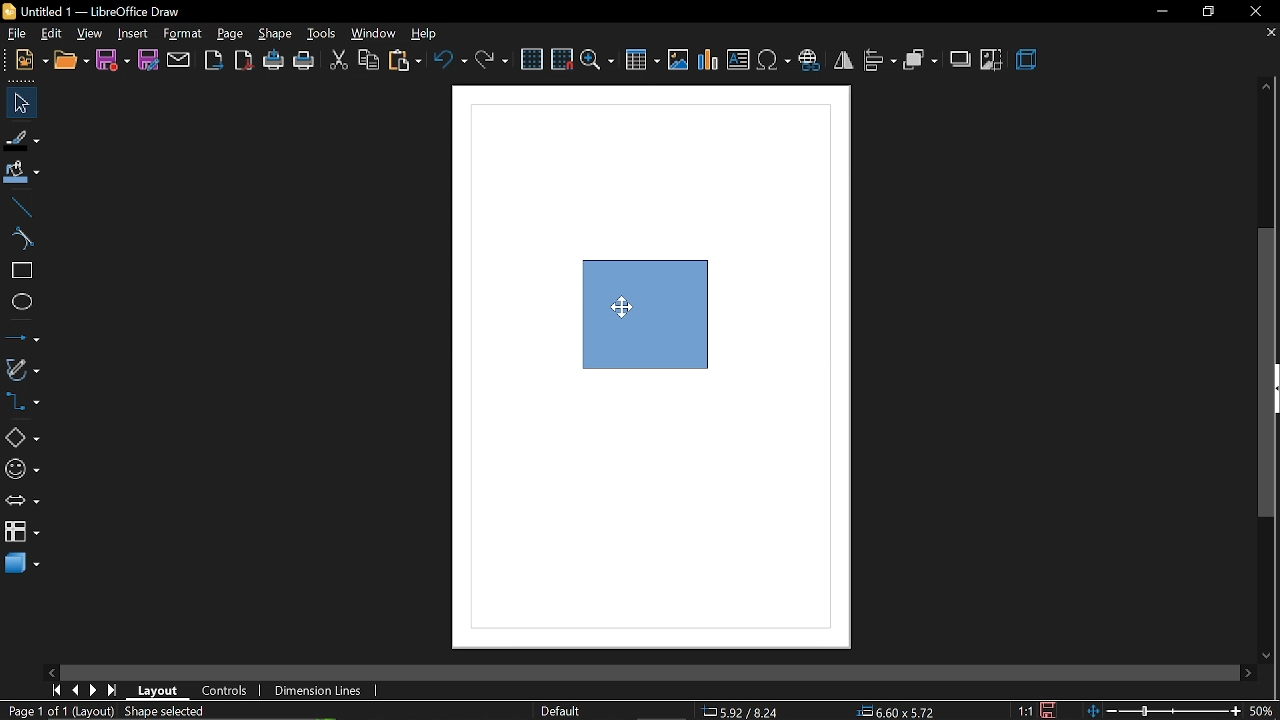  What do you see at coordinates (406, 62) in the screenshot?
I see `paste` at bounding box center [406, 62].